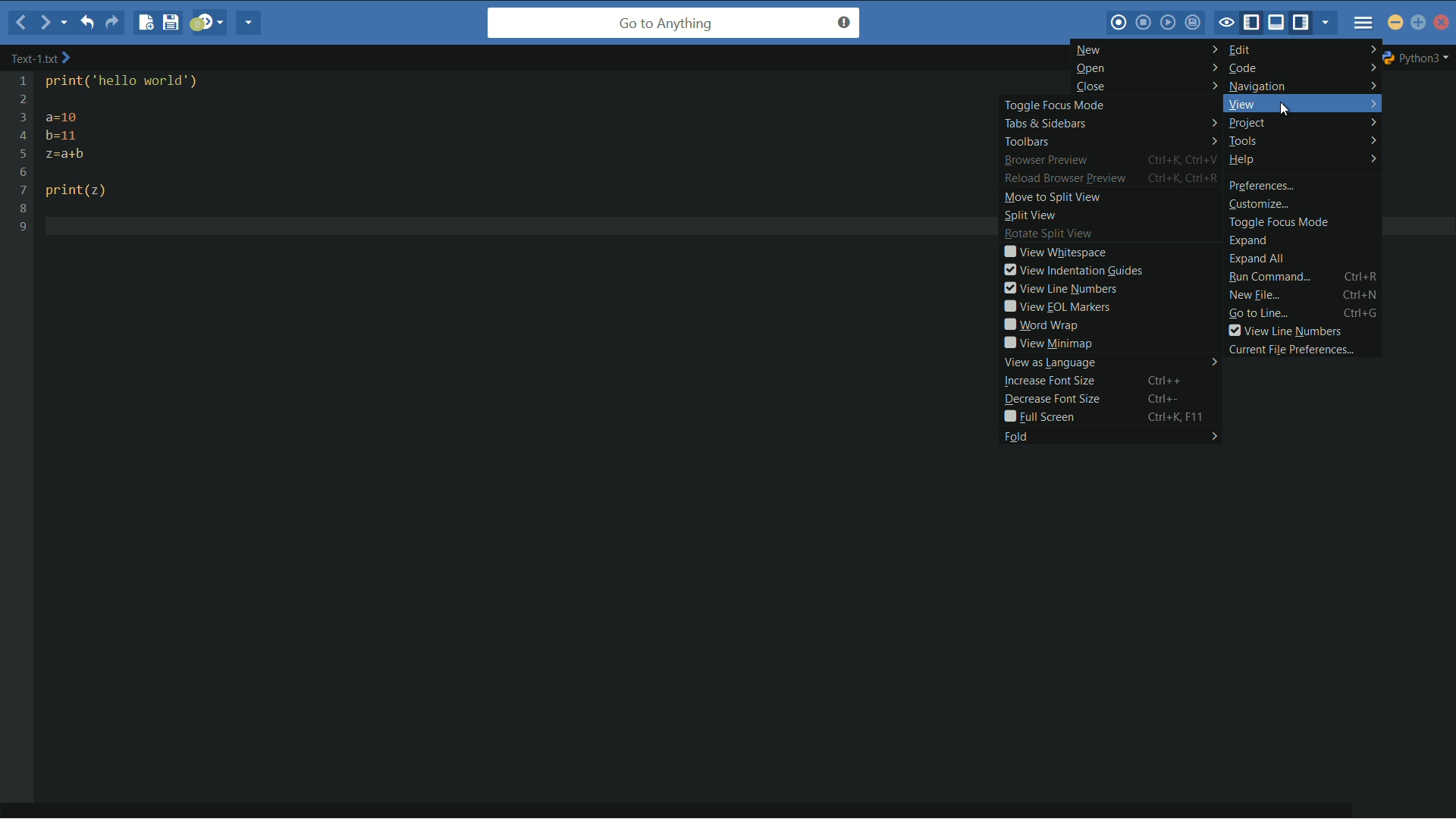 The height and width of the screenshot is (819, 1456). What do you see at coordinates (1144, 86) in the screenshot?
I see `close` at bounding box center [1144, 86].